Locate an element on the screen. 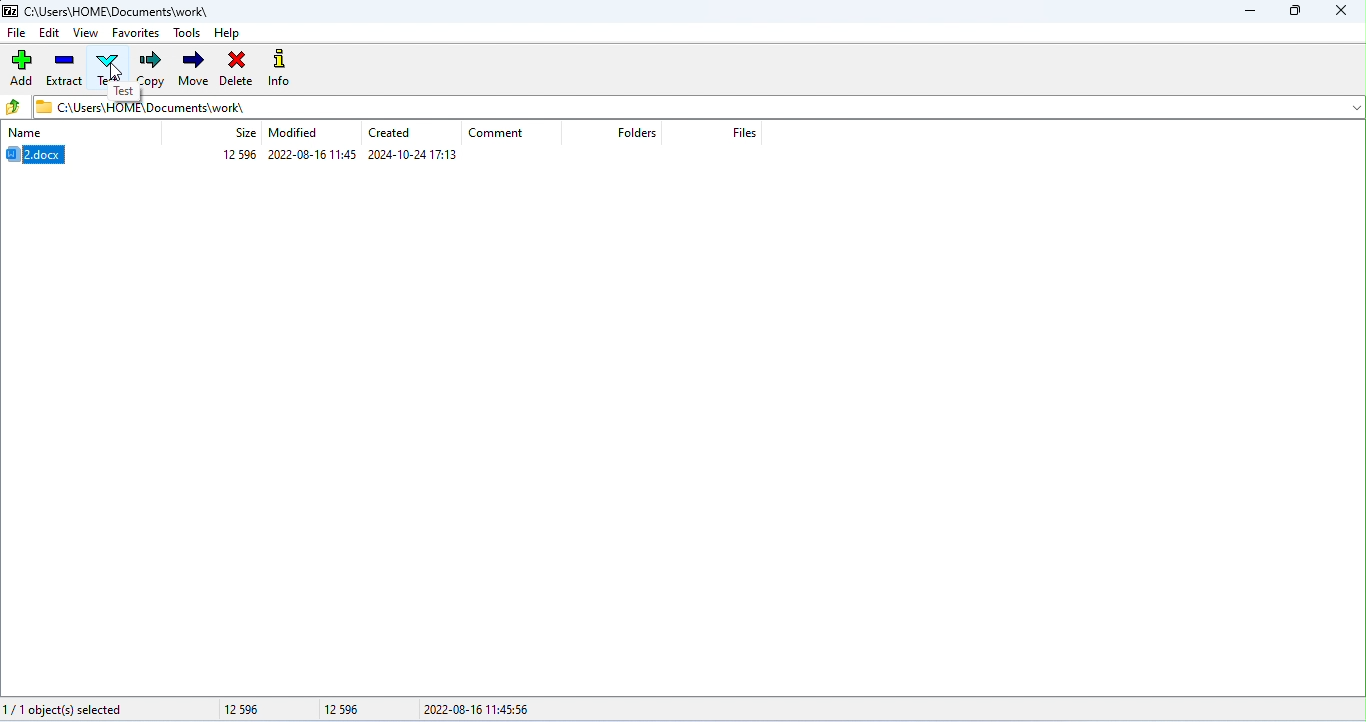 The width and height of the screenshot is (1366, 722). 7z C:\Users\HOME\Documents\work\ is located at coordinates (106, 10).